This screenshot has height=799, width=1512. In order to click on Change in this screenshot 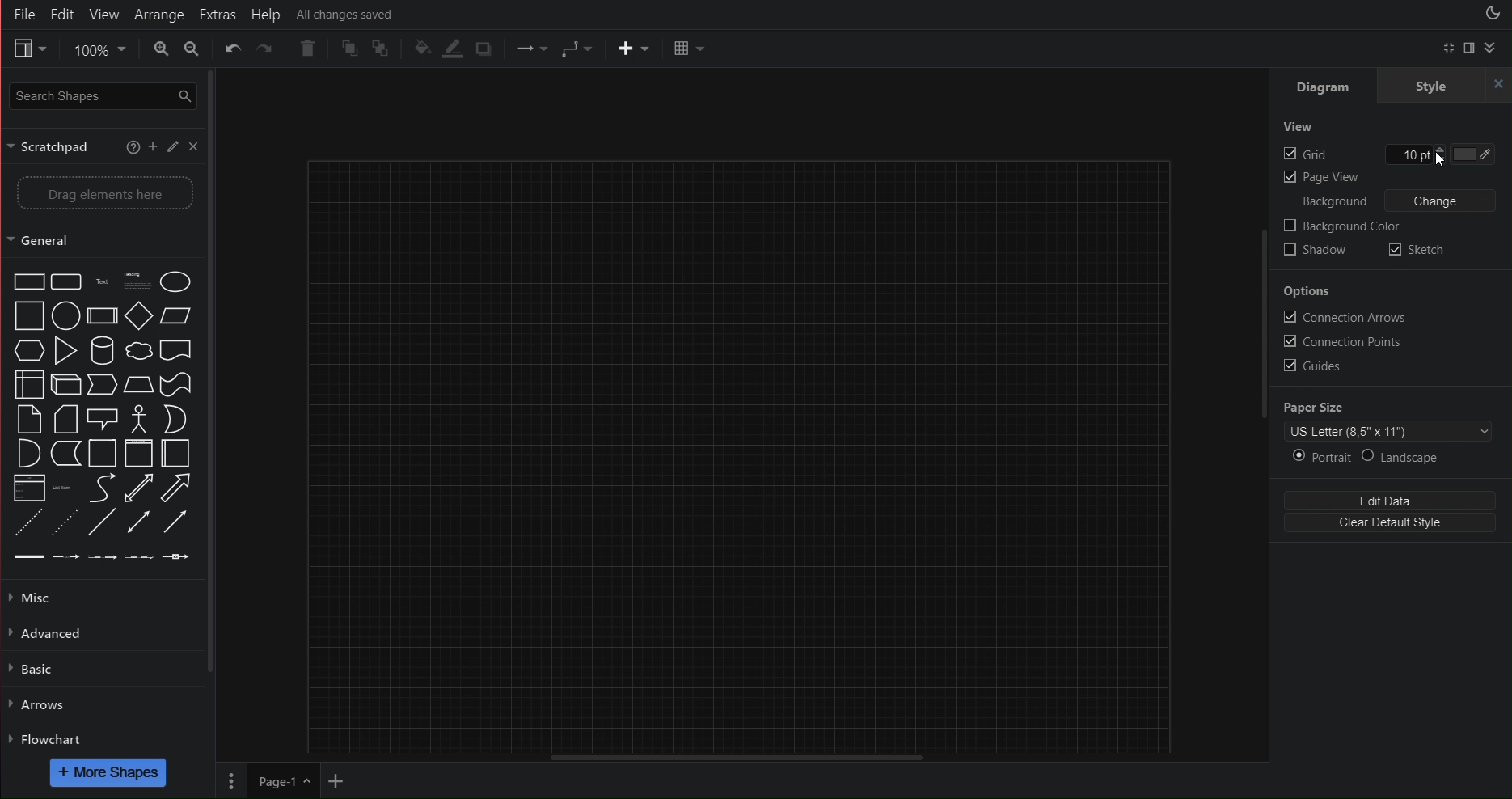, I will do `click(1442, 201)`.